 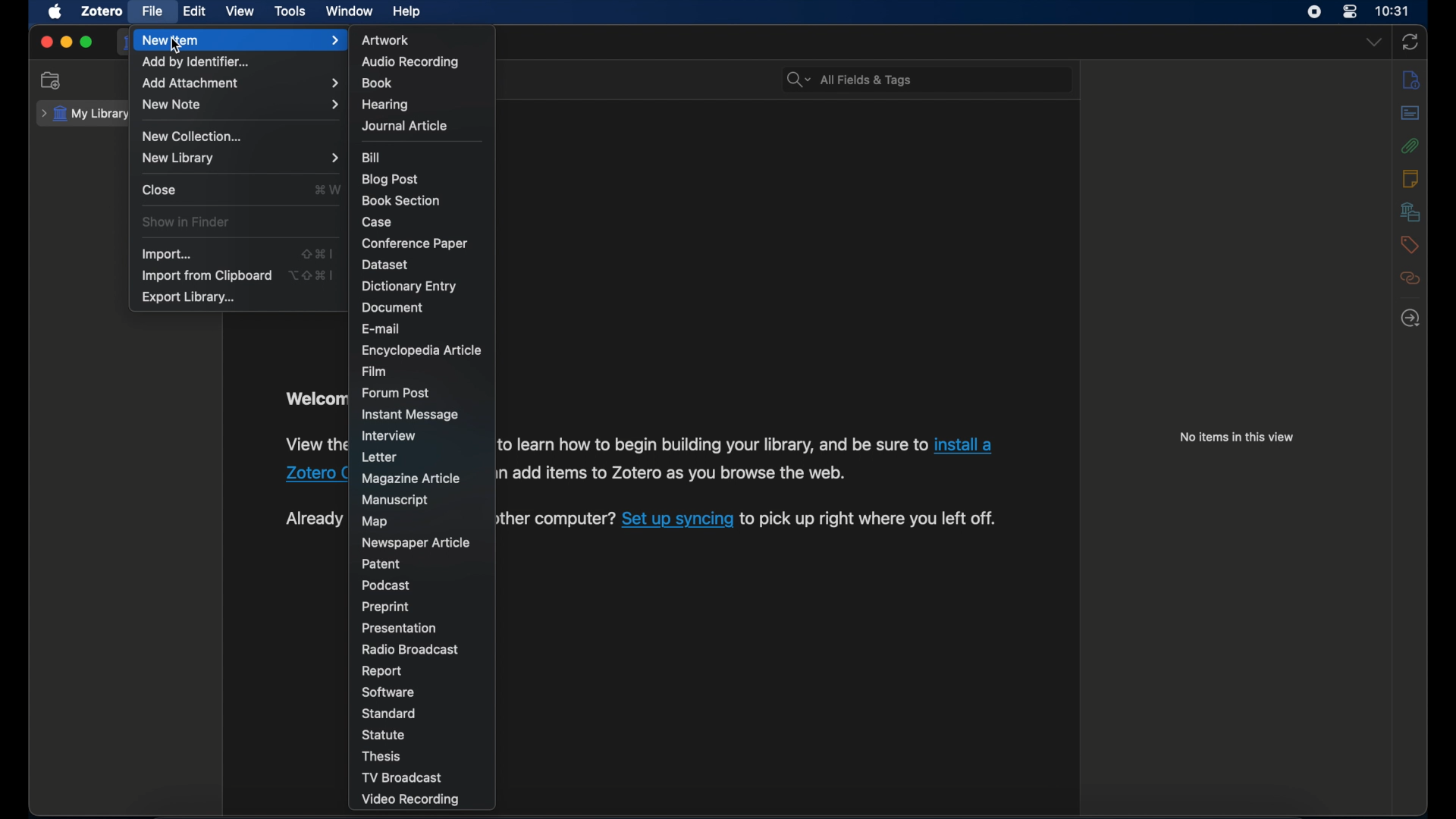 I want to click on artwork, so click(x=386, y=39).